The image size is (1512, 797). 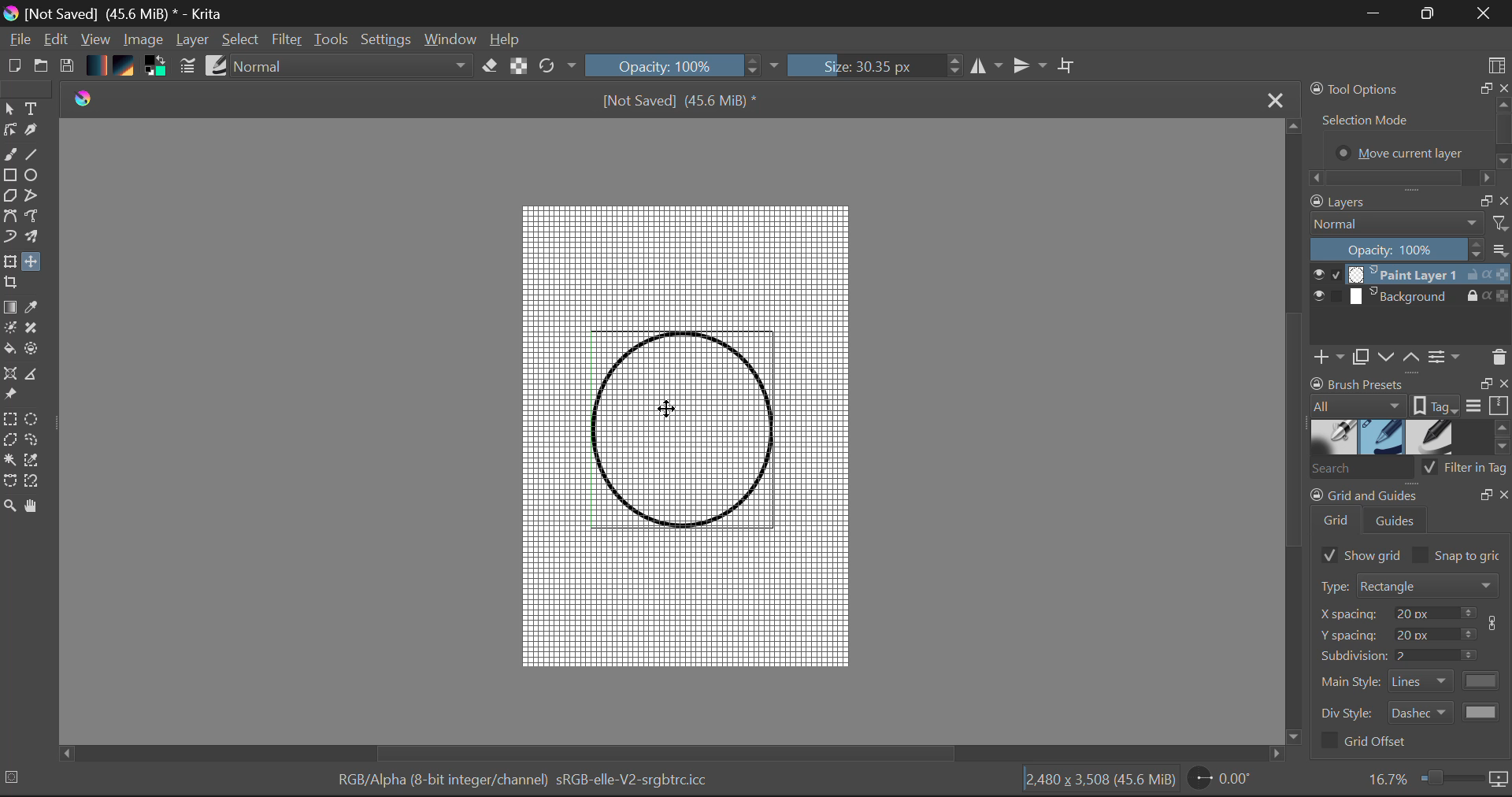 I want to click on Brush Presets, so click(x=1410, y=437).